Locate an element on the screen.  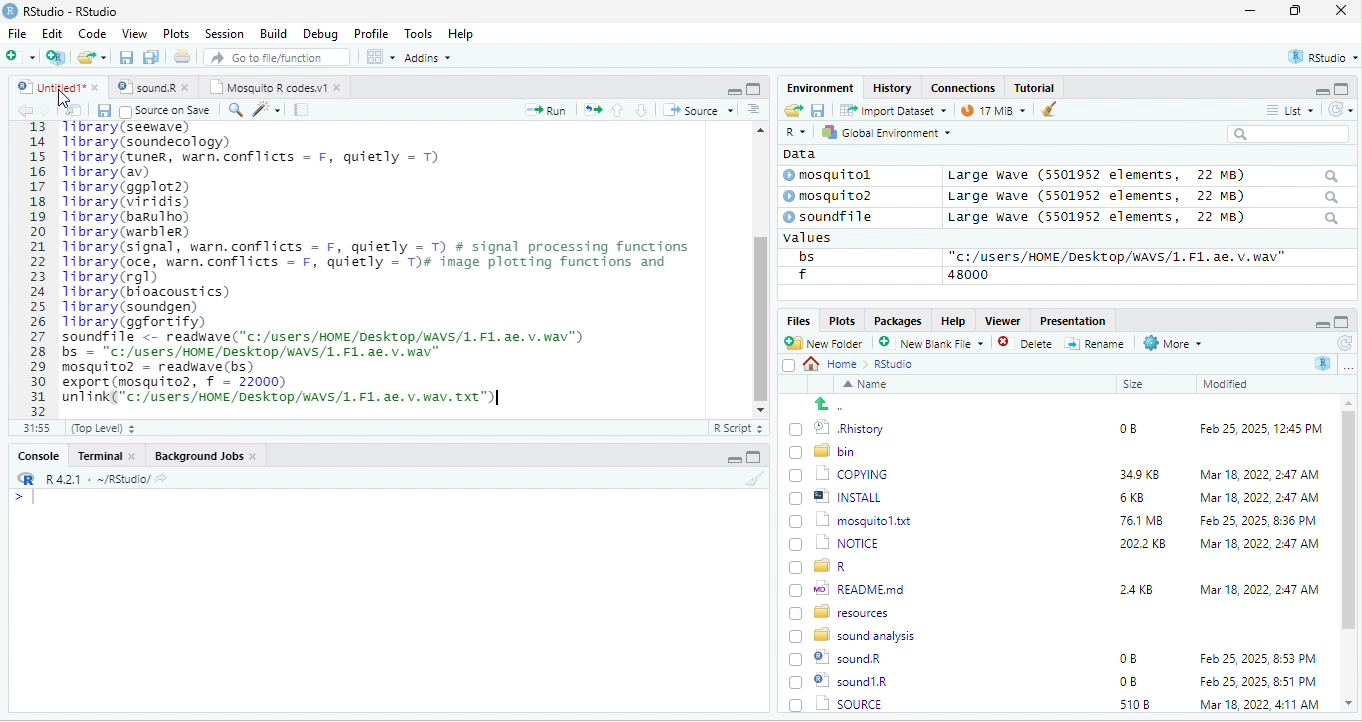
refresh is located at coordinates (1337, 109).